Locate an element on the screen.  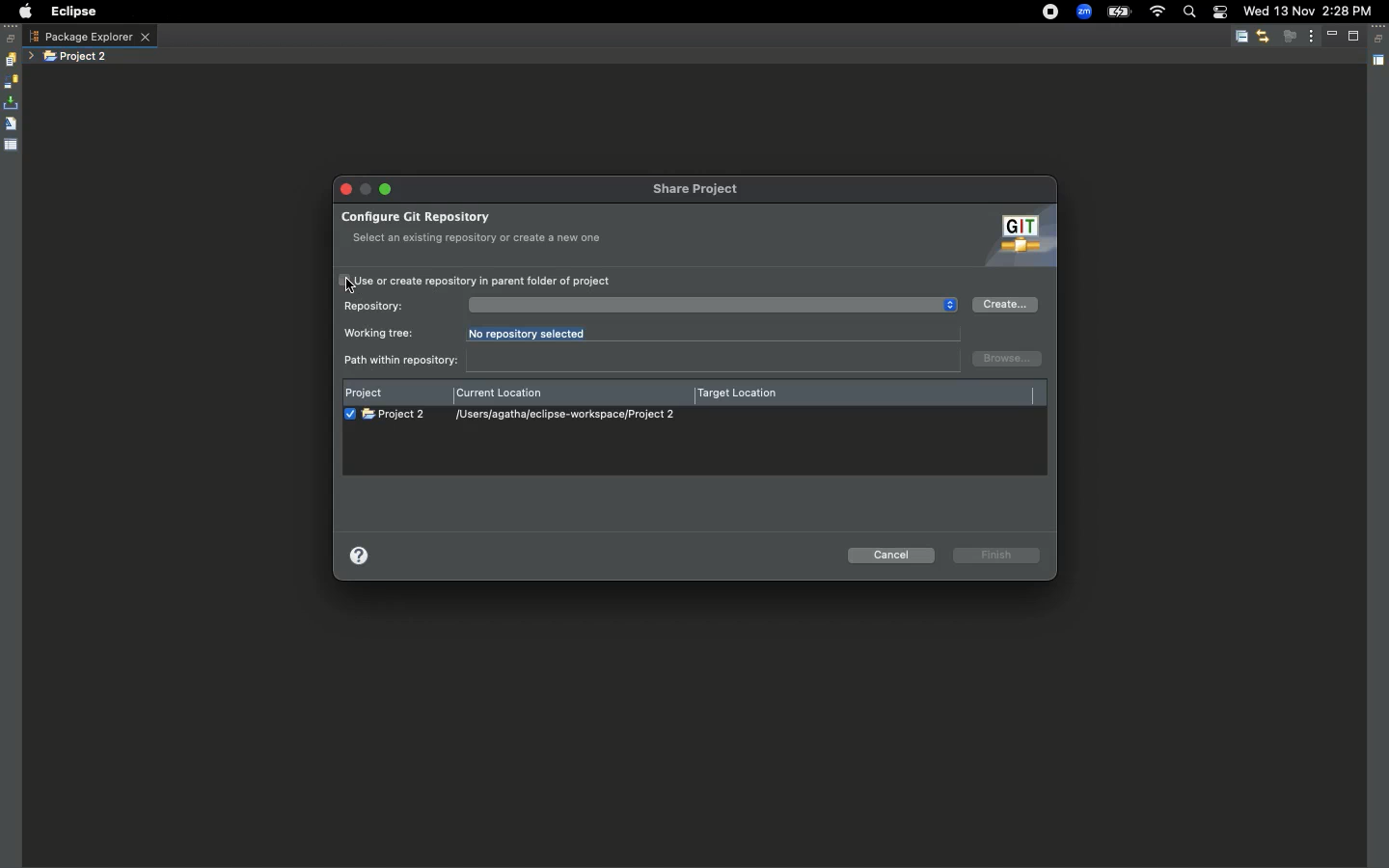
Path within repository: is located at coordinates (652, 361).